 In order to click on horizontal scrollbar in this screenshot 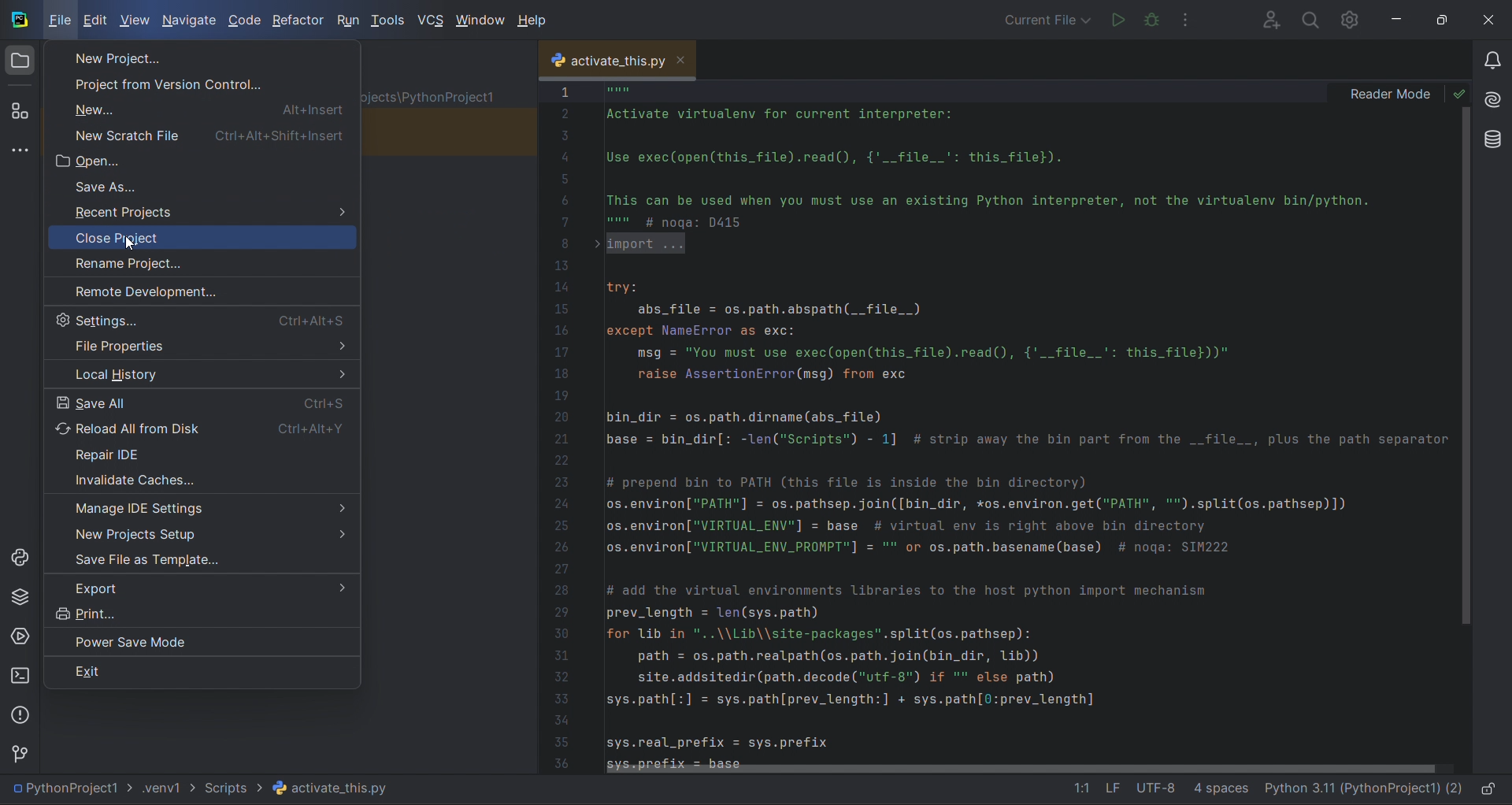, I will do `click(1011, 770)`.